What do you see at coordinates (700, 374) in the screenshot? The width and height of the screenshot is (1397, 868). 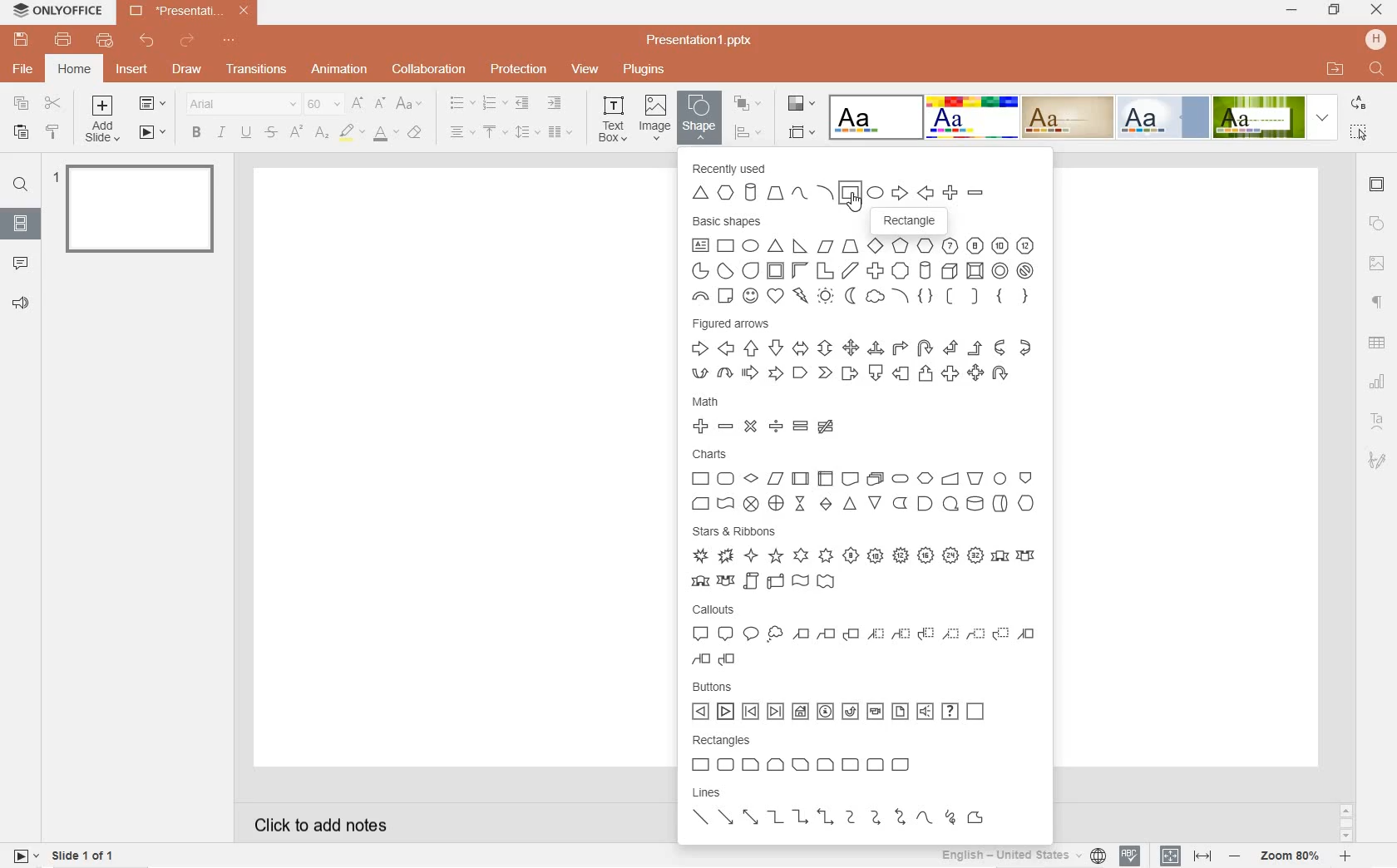 I see `Curved up arrow` at bounding box center [700, 374].